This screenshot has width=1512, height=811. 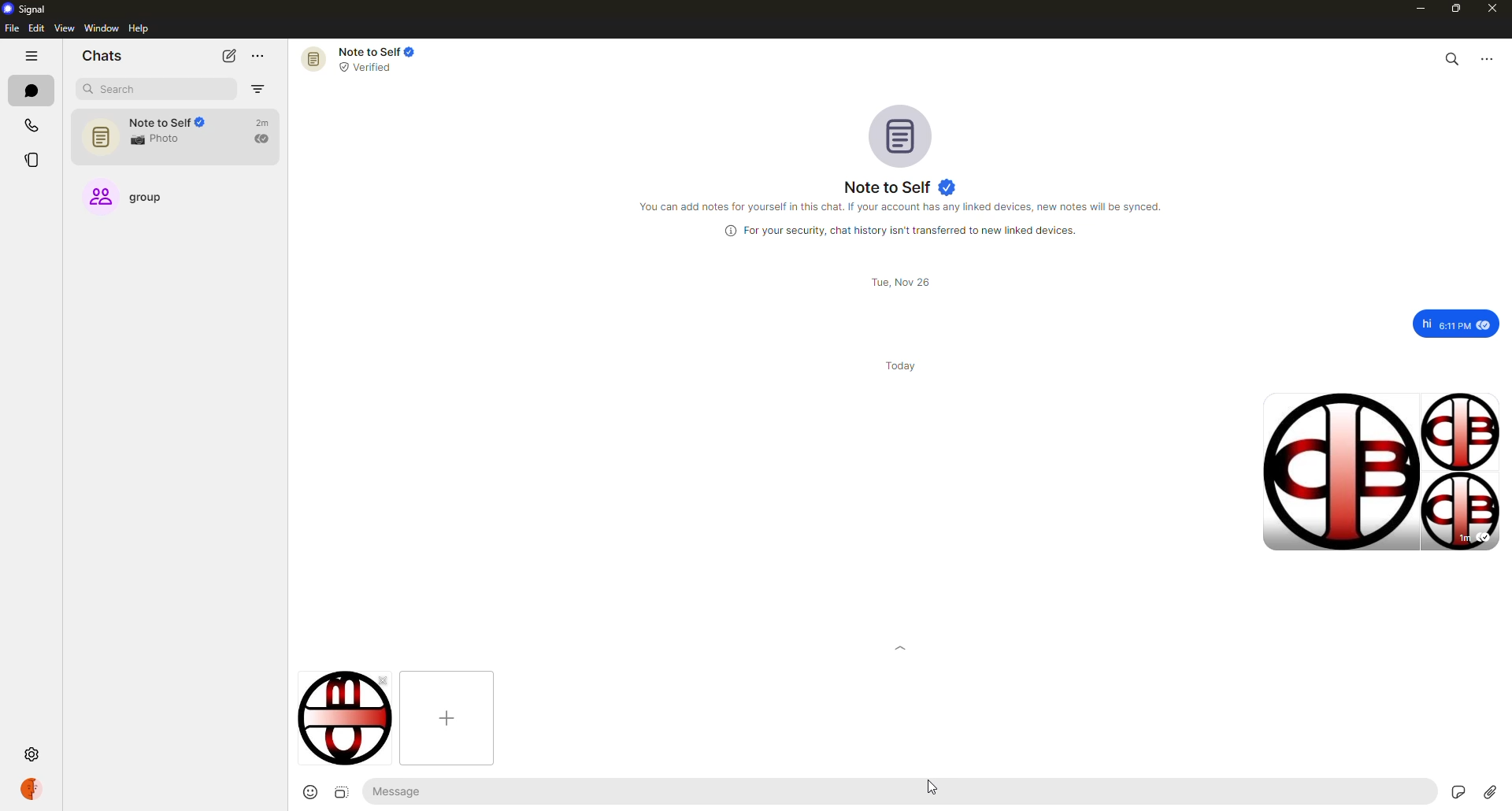 What do you see at coordinates (898, 282) in the screenshot?
I see `date` at bounding box center [898, 282].